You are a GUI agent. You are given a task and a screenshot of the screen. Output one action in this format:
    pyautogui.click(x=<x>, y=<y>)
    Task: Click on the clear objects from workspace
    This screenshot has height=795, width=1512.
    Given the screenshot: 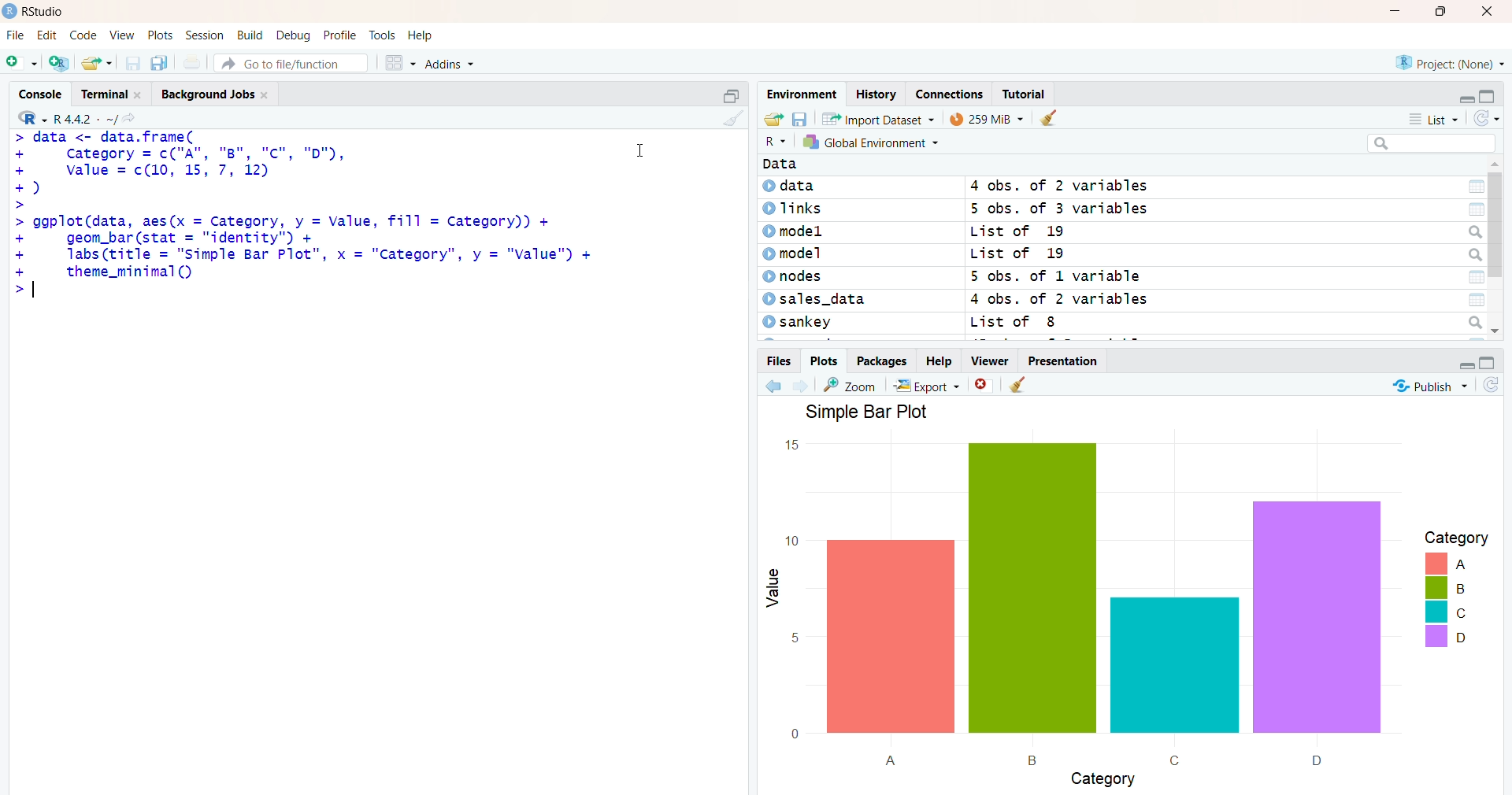 What is the action you would take?
    pyautogui.click(x=1048, y=119)
    